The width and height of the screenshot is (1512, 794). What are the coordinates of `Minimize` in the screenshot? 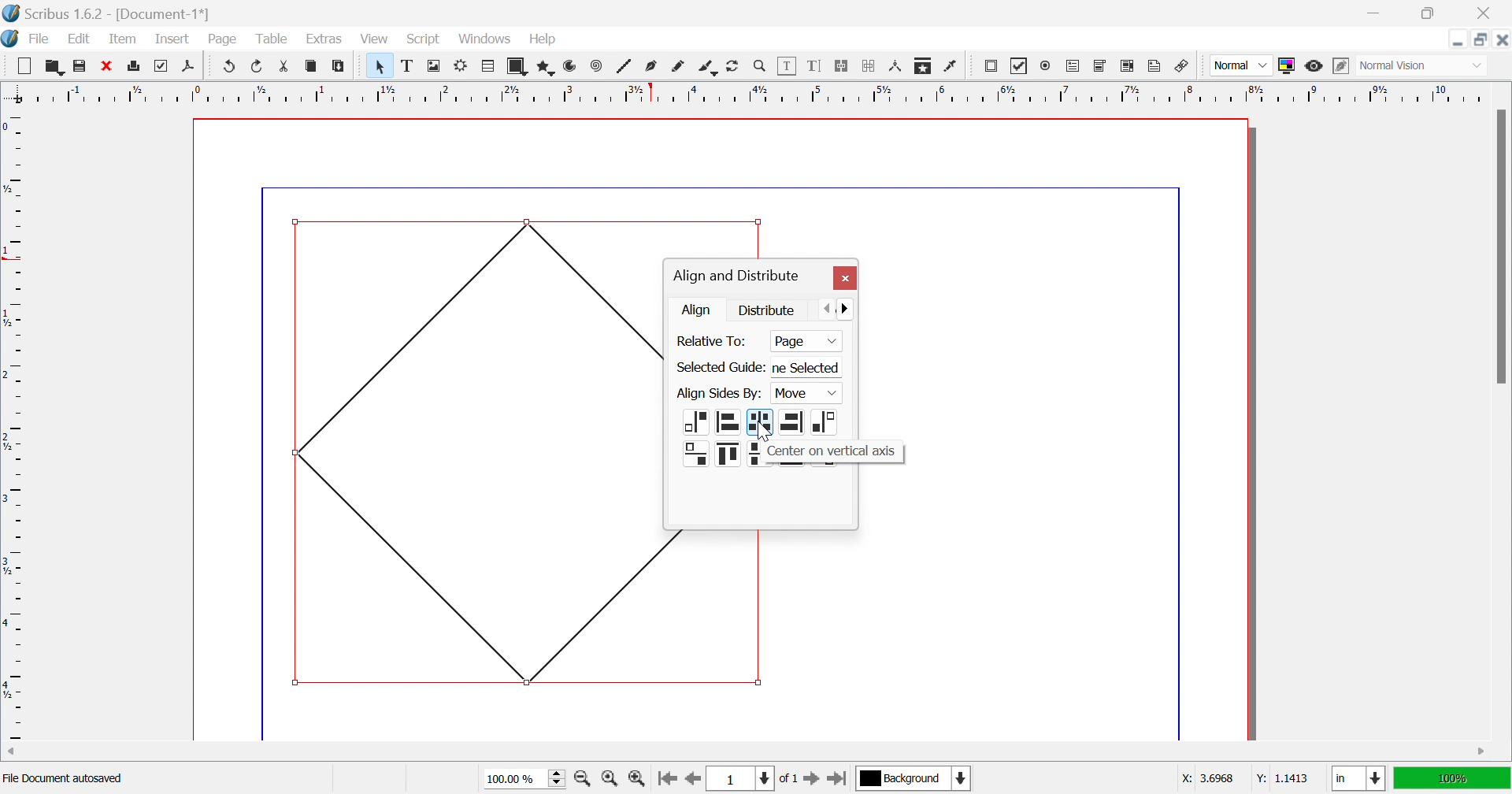 It's located at (1458, 39).